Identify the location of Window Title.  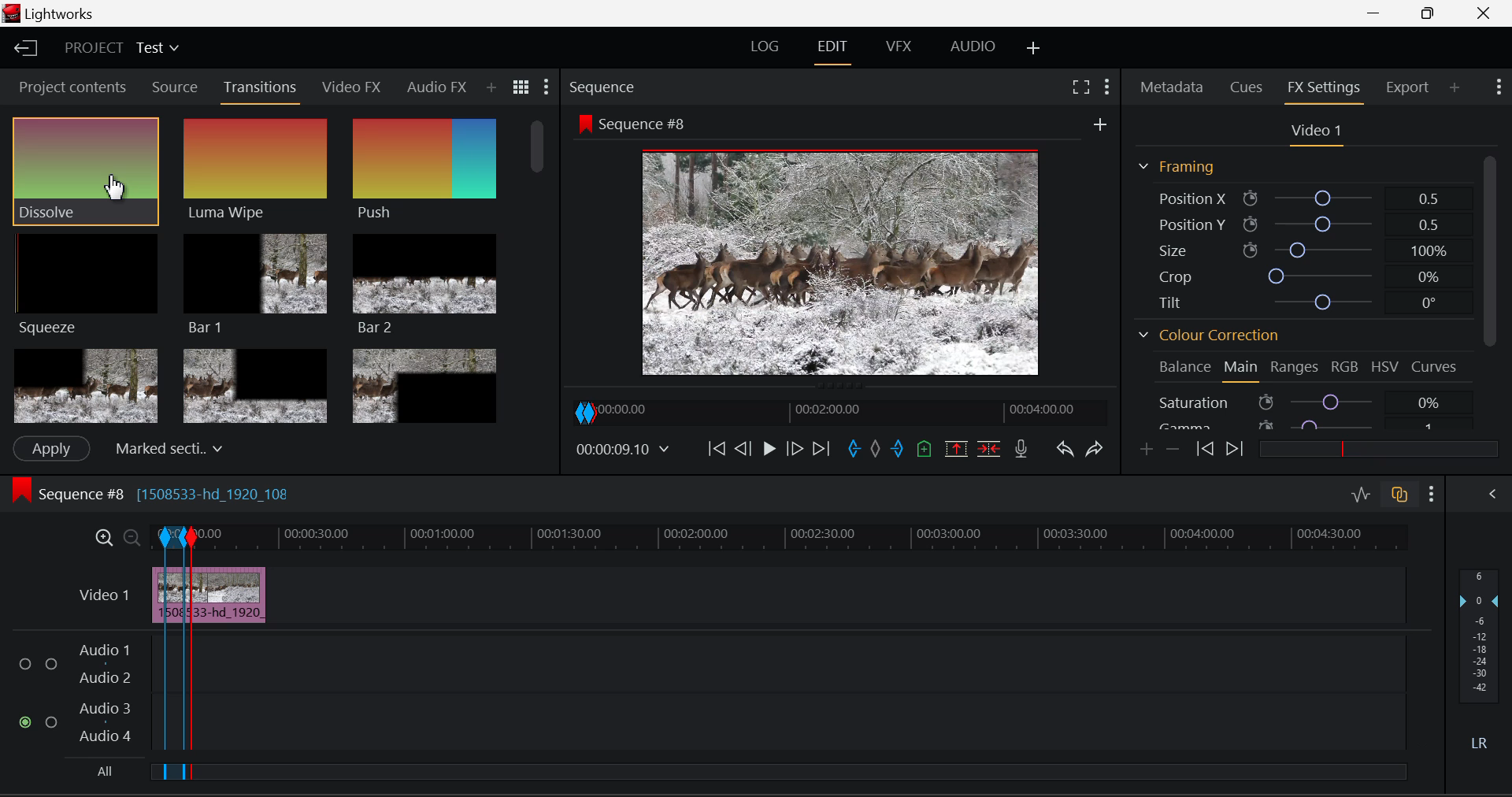
(50, 13).